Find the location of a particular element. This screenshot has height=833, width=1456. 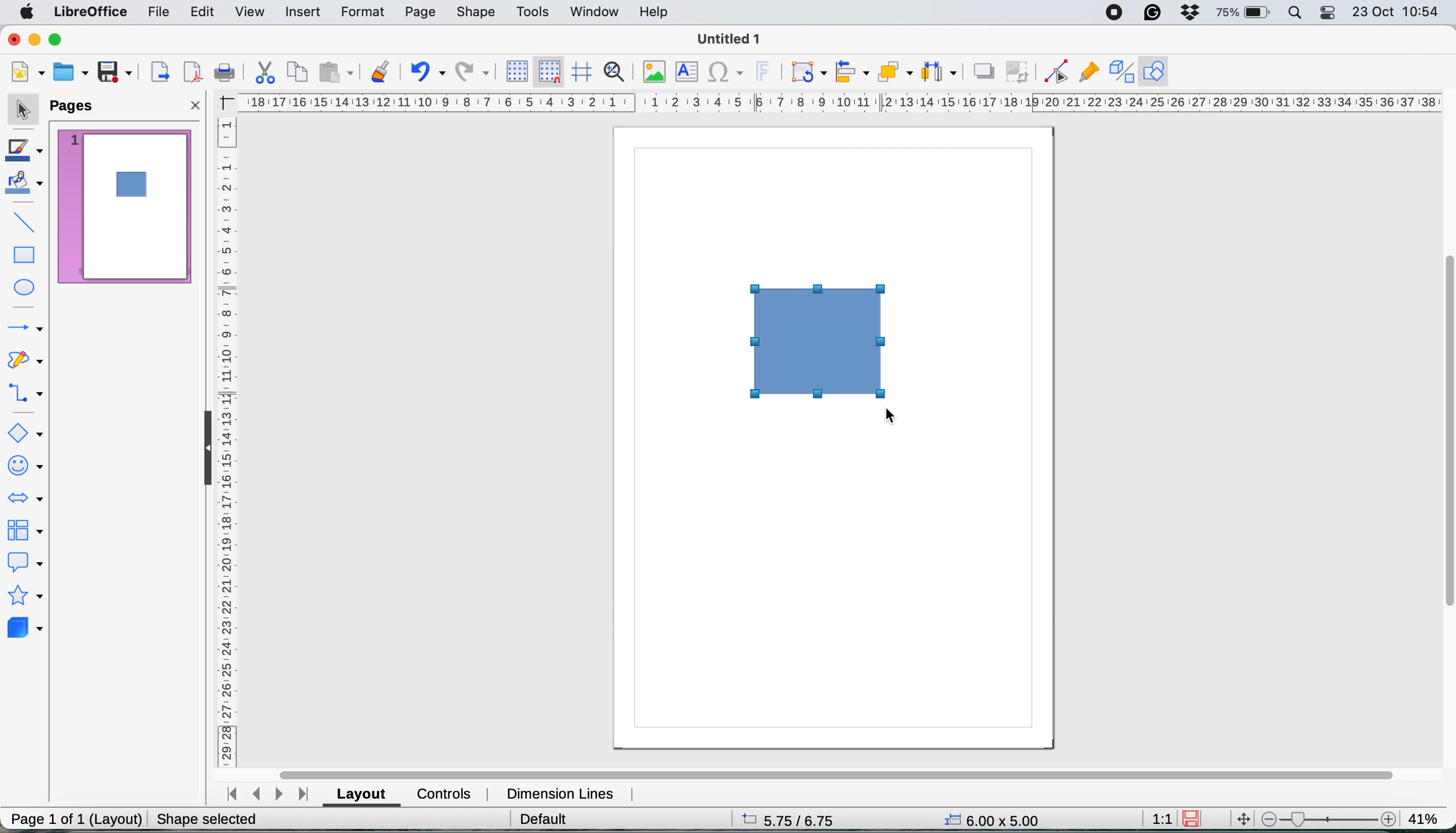

rectangle is located at coordinates (25, 253).